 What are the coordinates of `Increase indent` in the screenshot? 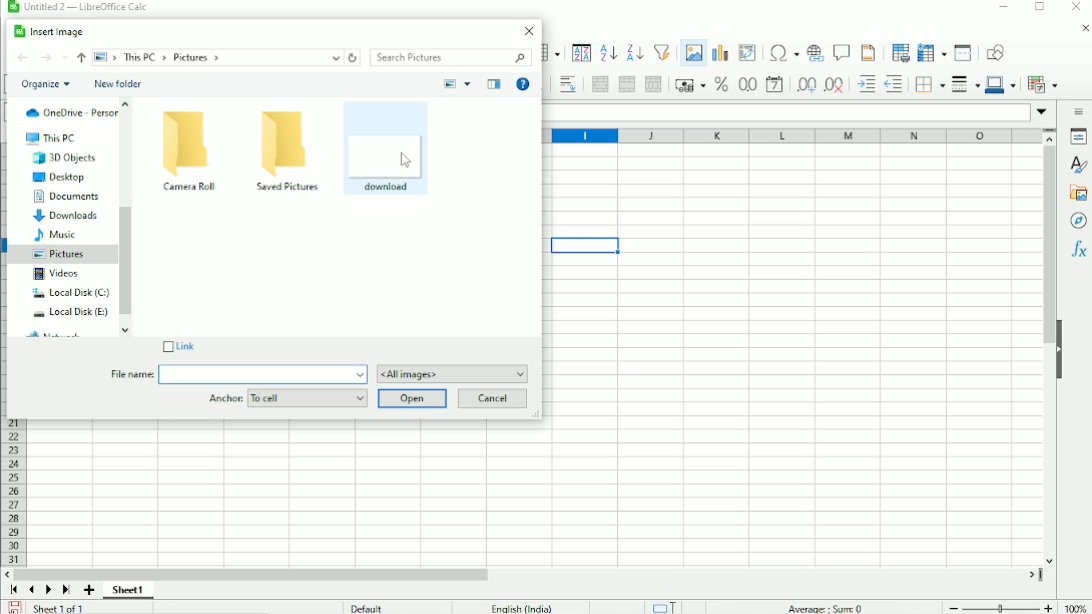 It's located at (862, 85).